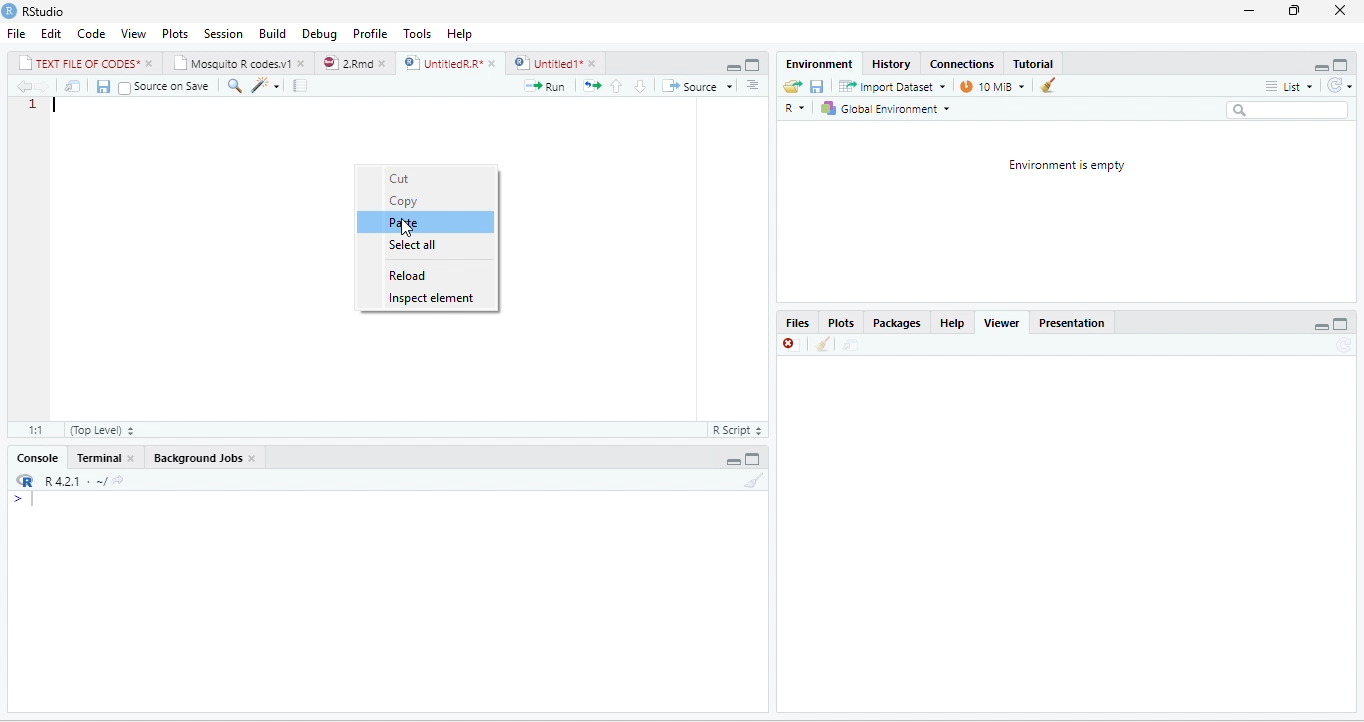  I want to click on close, so click(790, 346).